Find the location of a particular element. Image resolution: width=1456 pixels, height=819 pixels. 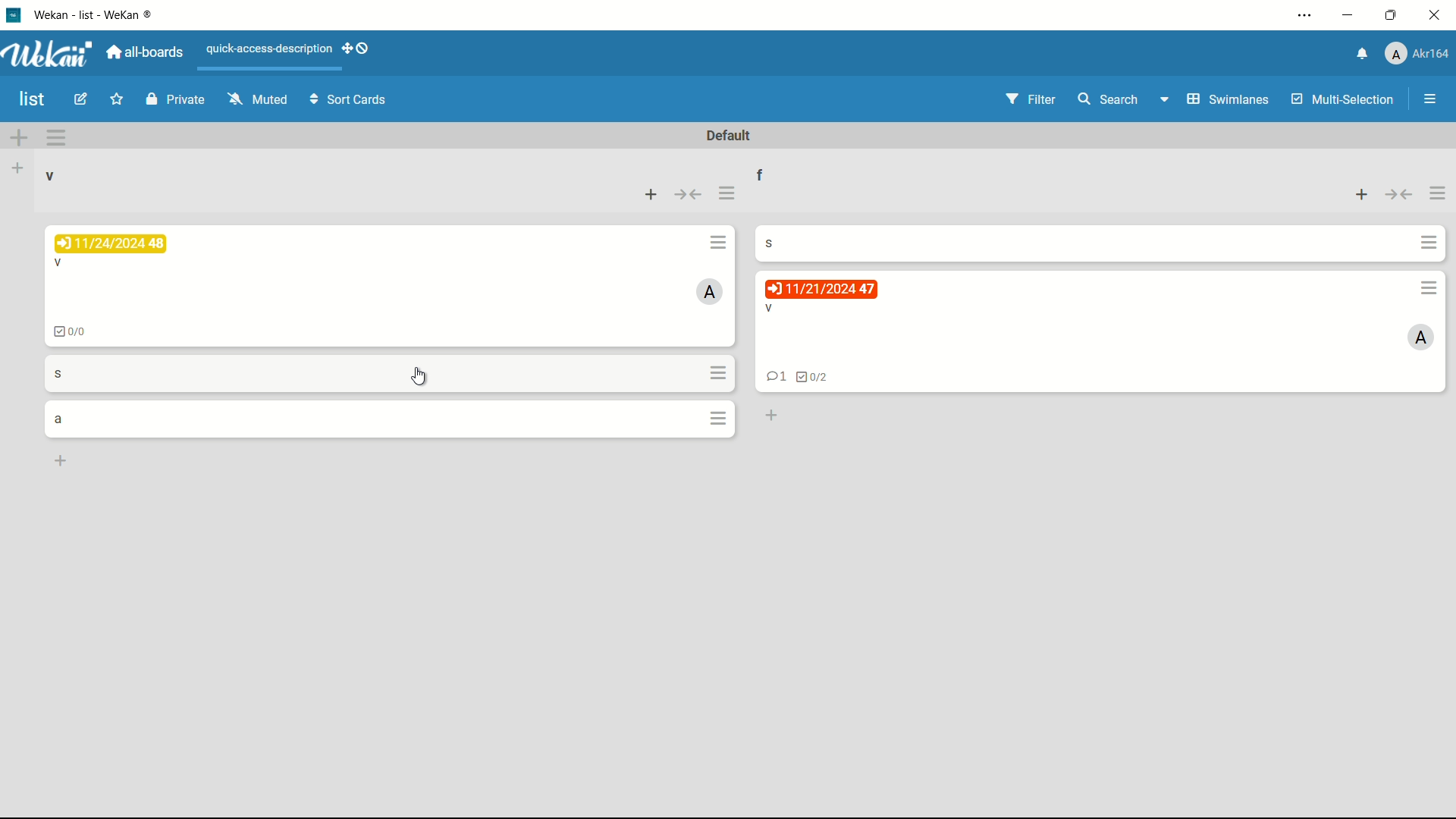

app icon is located at coordinates (15, 15).